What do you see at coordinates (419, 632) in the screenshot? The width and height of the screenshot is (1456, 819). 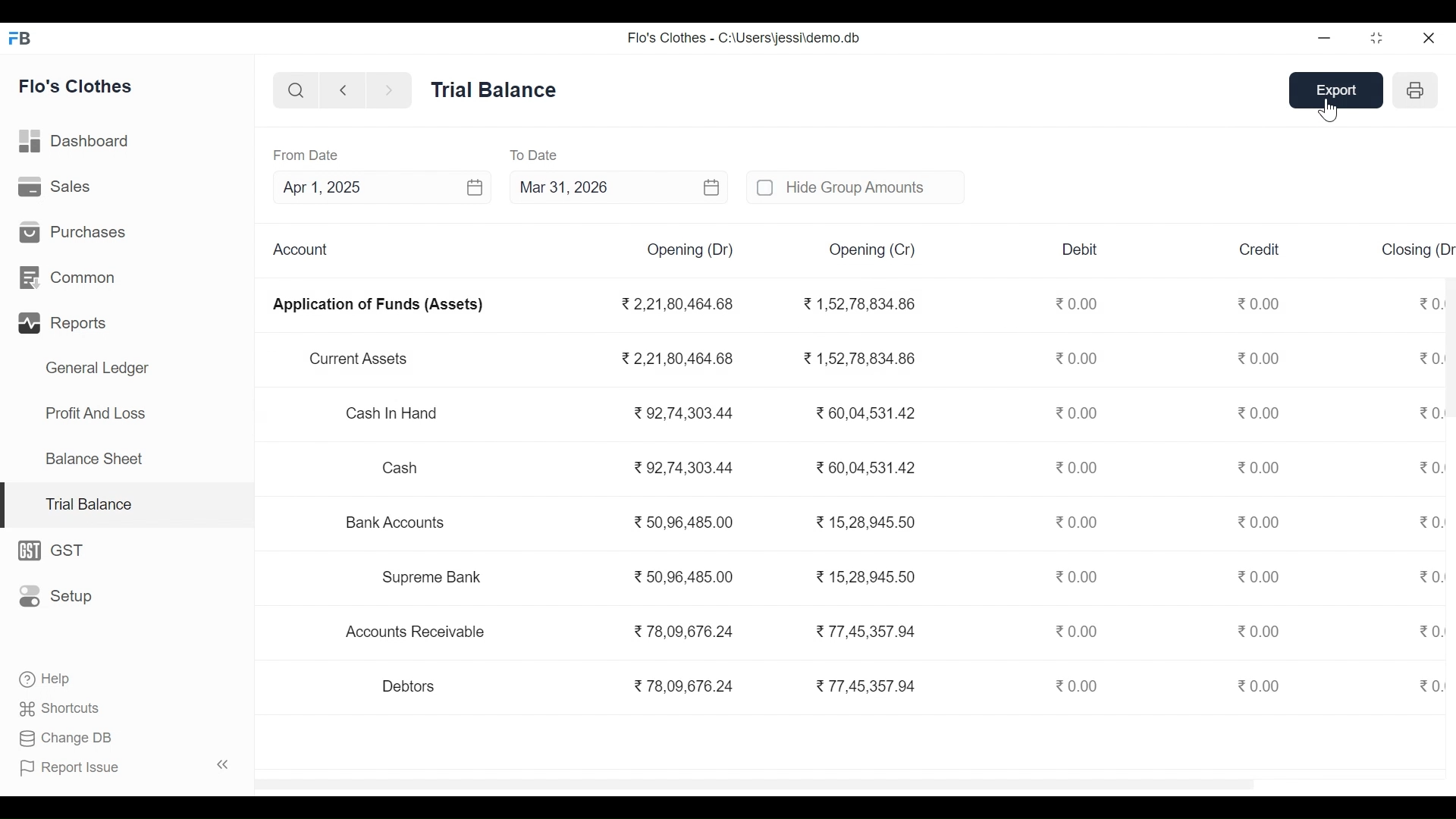 I see `Accounts Receivable` at bounding box center [419, 632].